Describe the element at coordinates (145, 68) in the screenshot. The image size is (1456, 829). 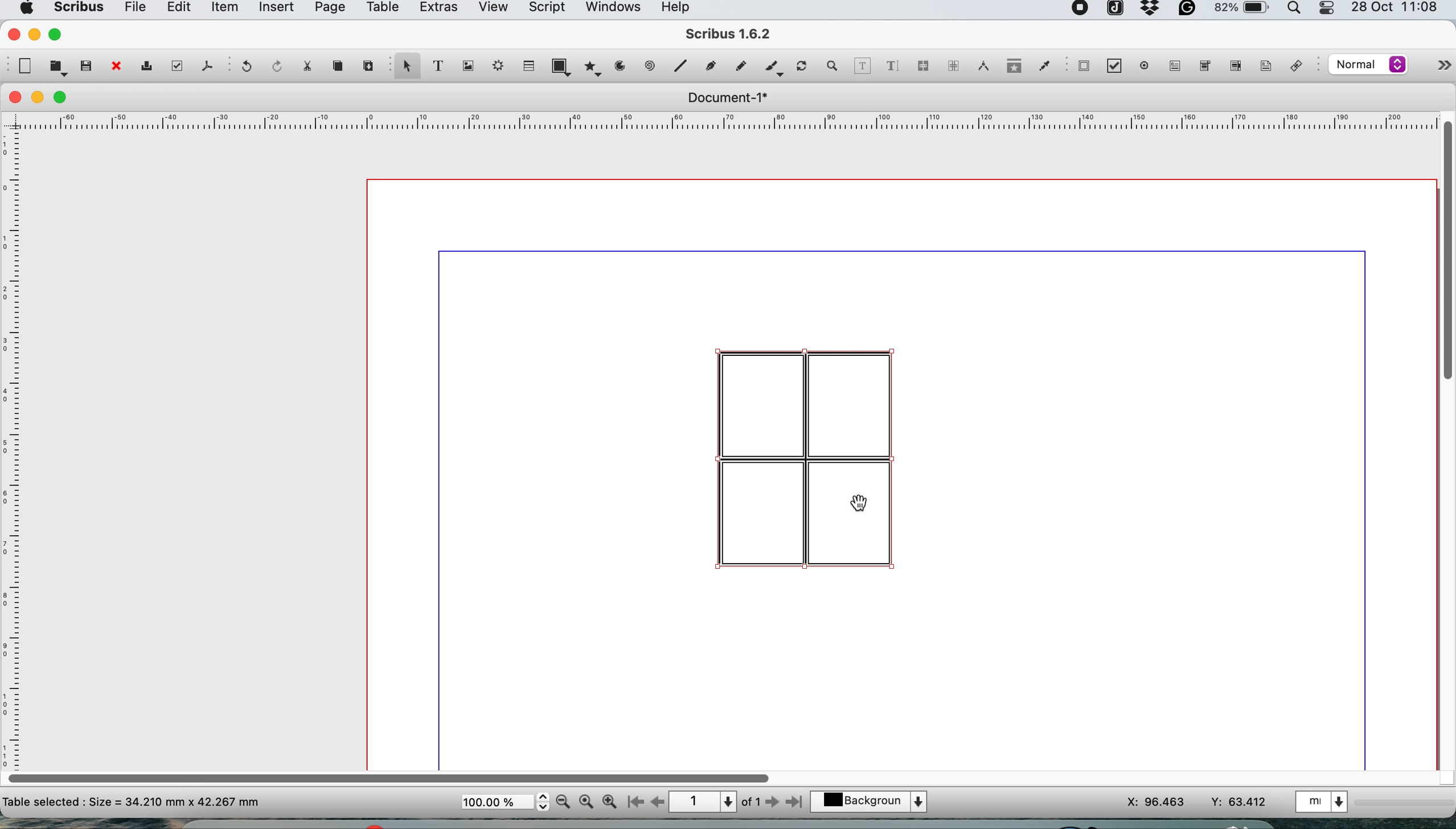
I see `print` at that location.